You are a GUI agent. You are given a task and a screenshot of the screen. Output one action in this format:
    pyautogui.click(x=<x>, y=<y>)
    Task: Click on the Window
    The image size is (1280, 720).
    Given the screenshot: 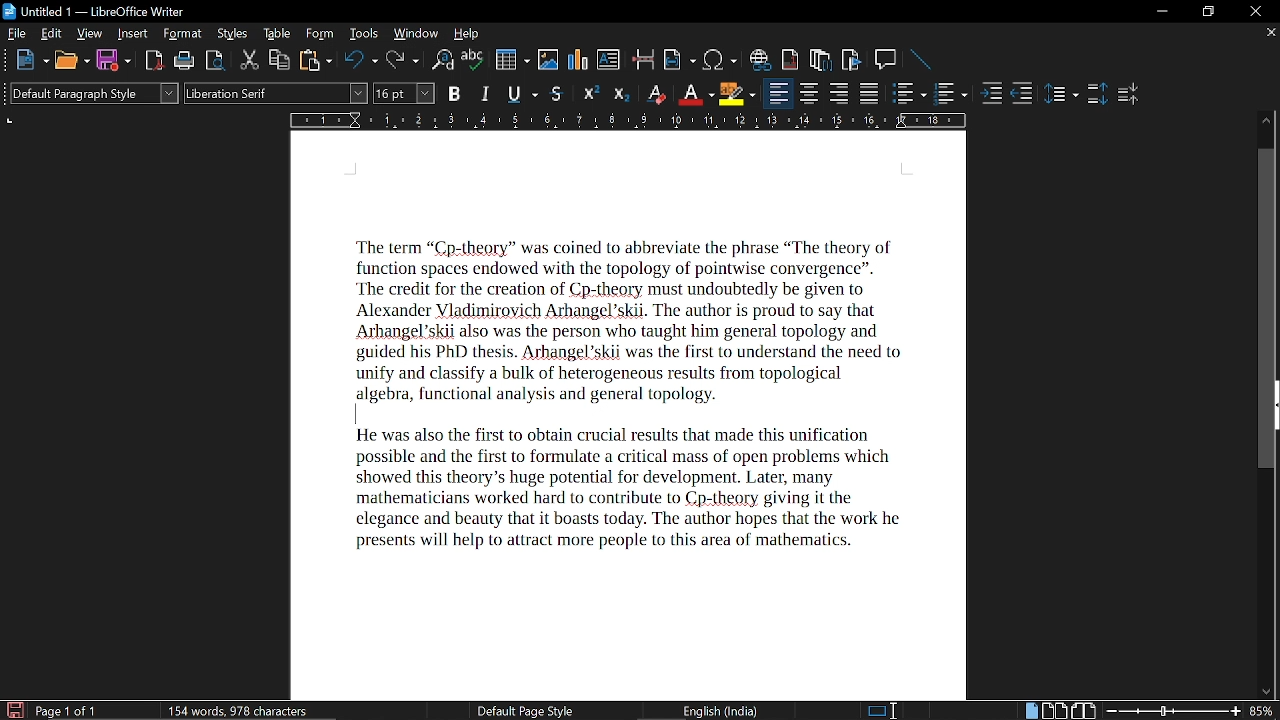 What is the action you would take?
    pyautogui.click(x=415, y=36)
    